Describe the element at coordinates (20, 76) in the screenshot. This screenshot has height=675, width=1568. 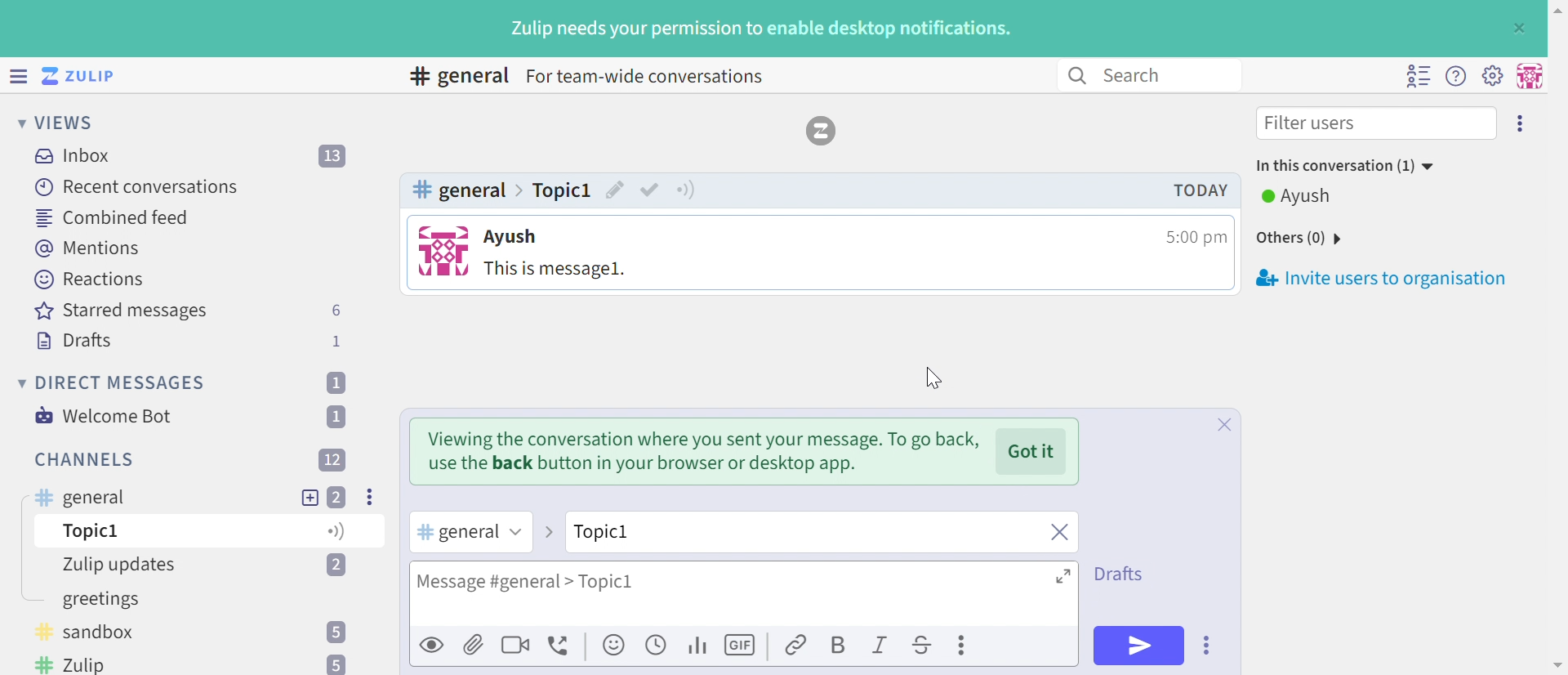
I see `Hide left sidebar` at that location.